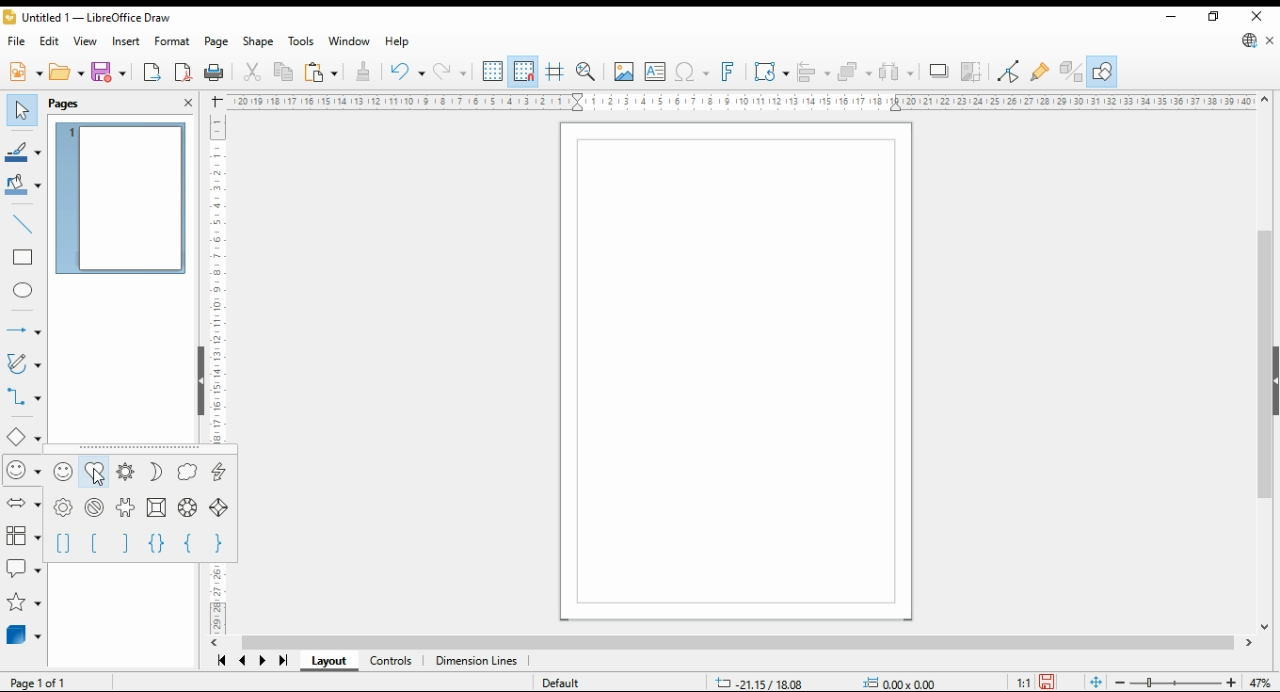 This screenshot has height=692, width=1280. I want to click on open , so click(67, 72).